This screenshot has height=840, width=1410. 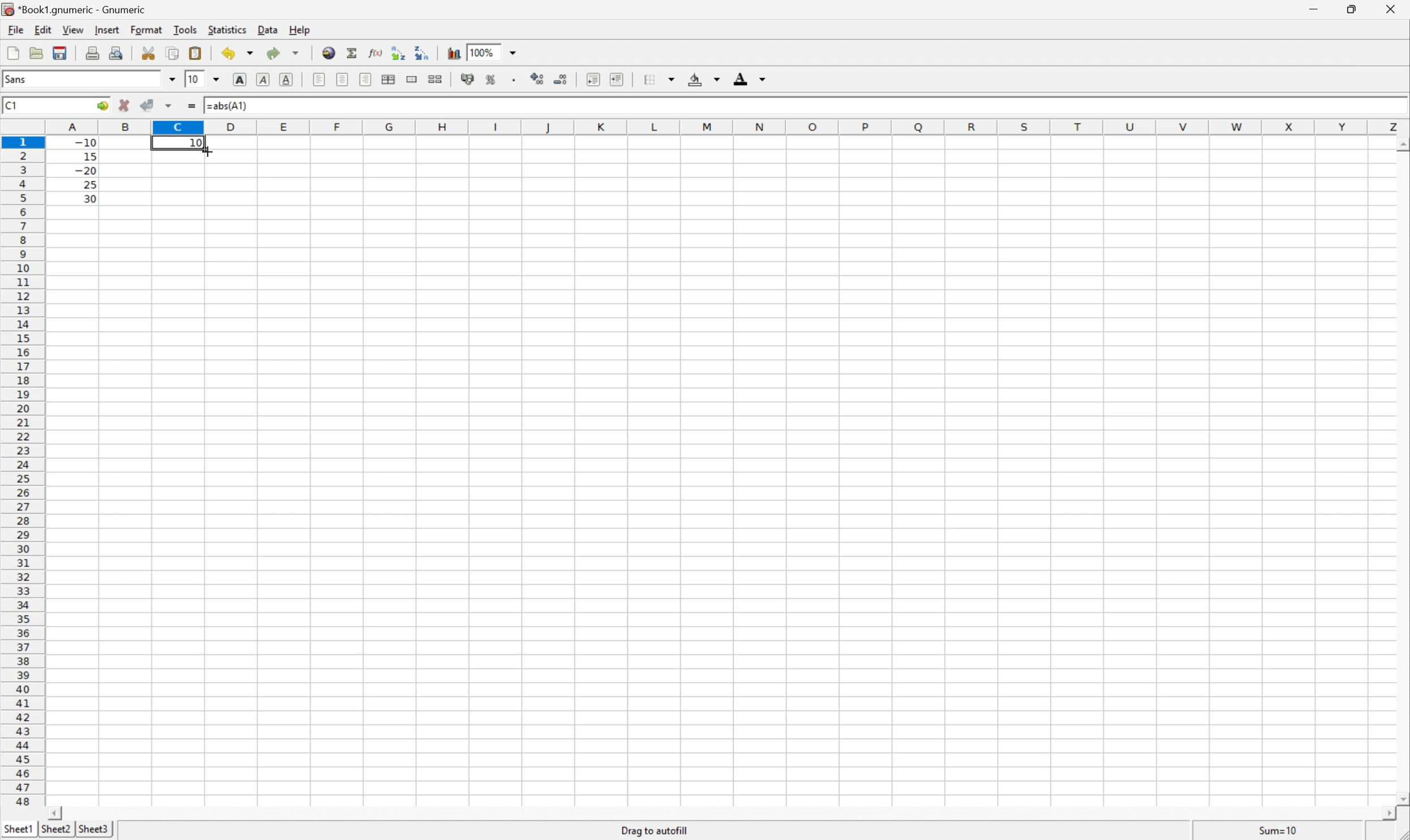 What do you see at coordinates (73, 30) in the screenshot?
I see `View` at bounding box center [73, 30].